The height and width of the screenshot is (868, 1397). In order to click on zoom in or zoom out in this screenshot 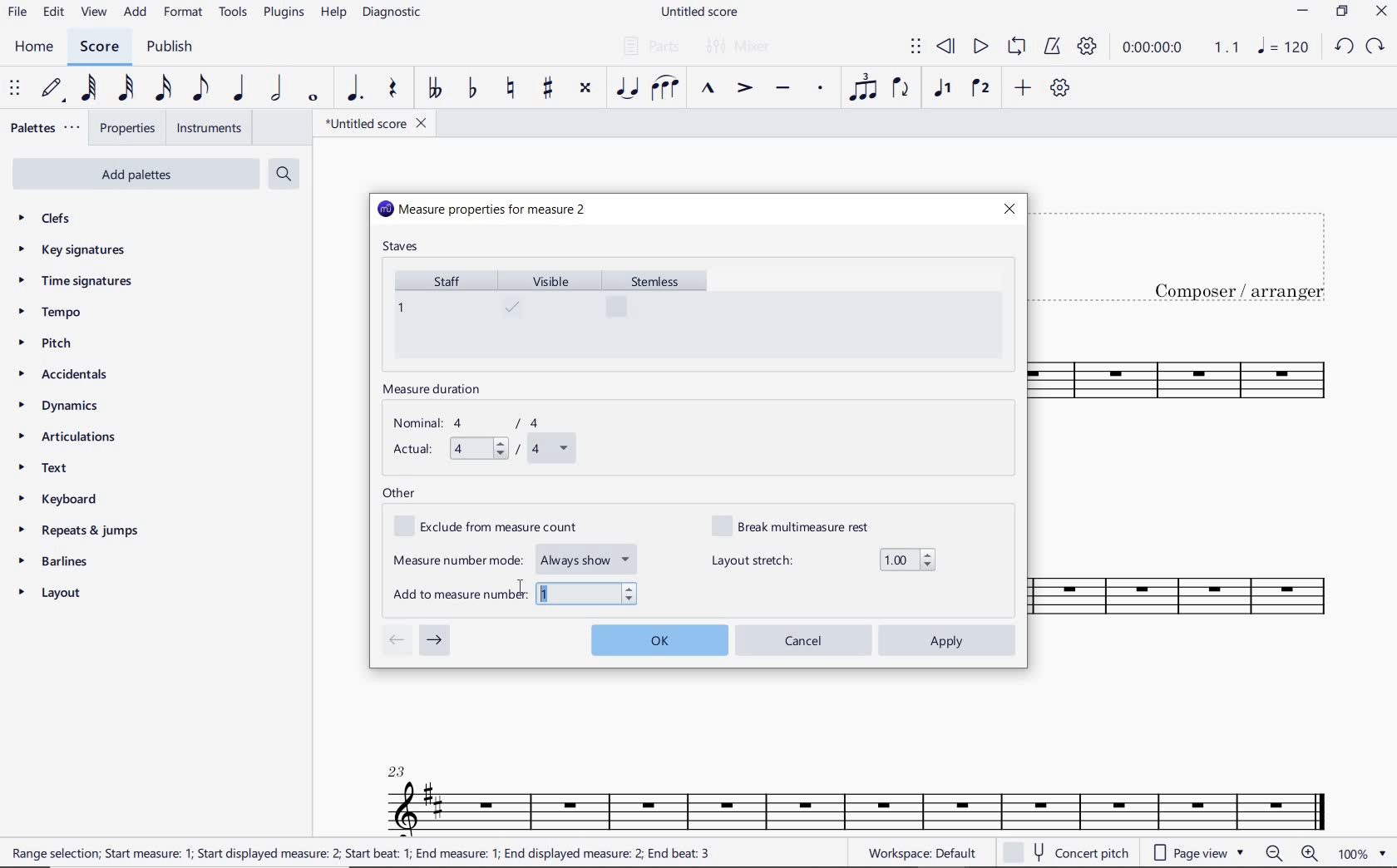, I will do `click(1294, 855)`.